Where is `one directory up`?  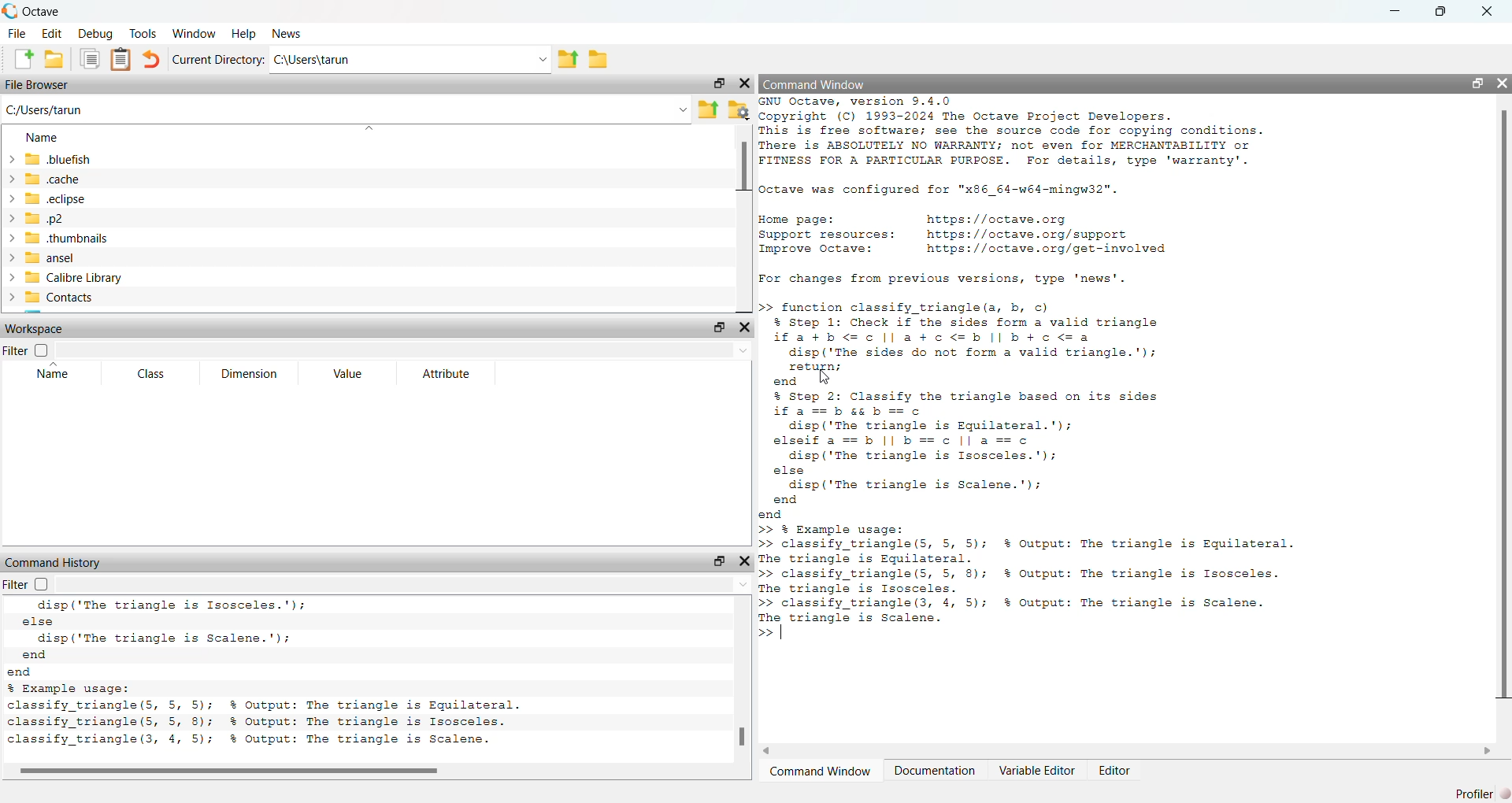
one directory up is located at coordinates (566, 59).